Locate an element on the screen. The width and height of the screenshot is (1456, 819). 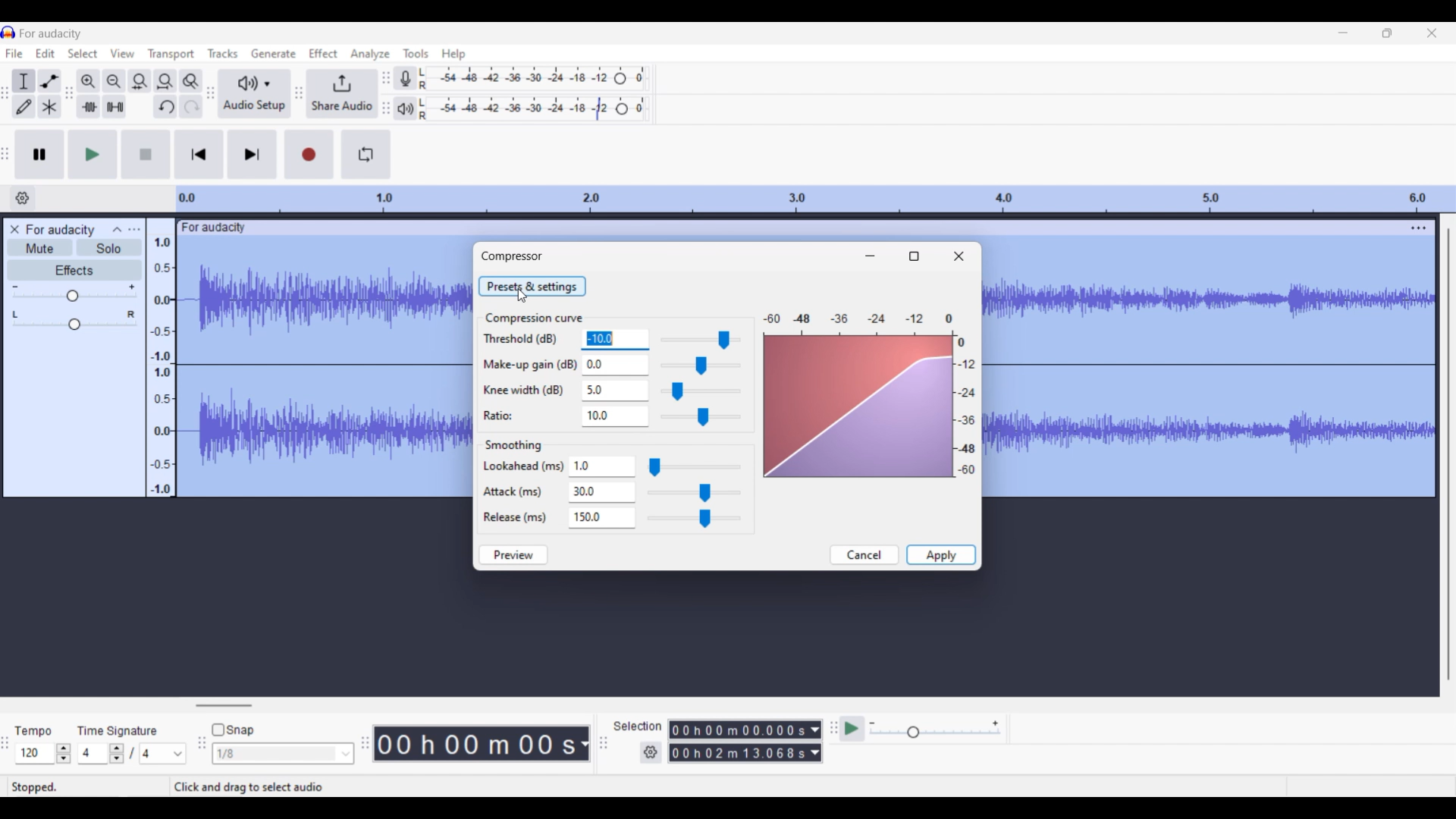
Indicates selection settings is located at coordinates (637, 725).